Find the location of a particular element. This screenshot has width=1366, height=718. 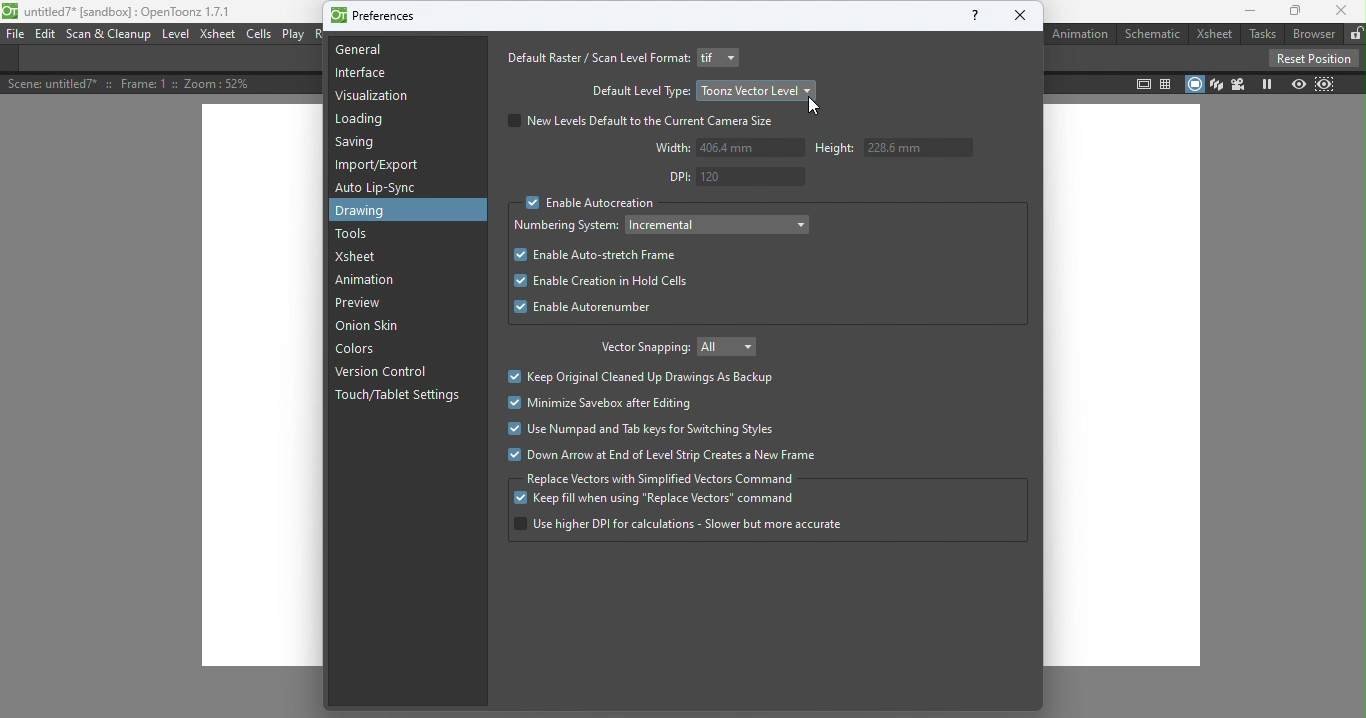

Preferences is located at coordinates (378, 17).